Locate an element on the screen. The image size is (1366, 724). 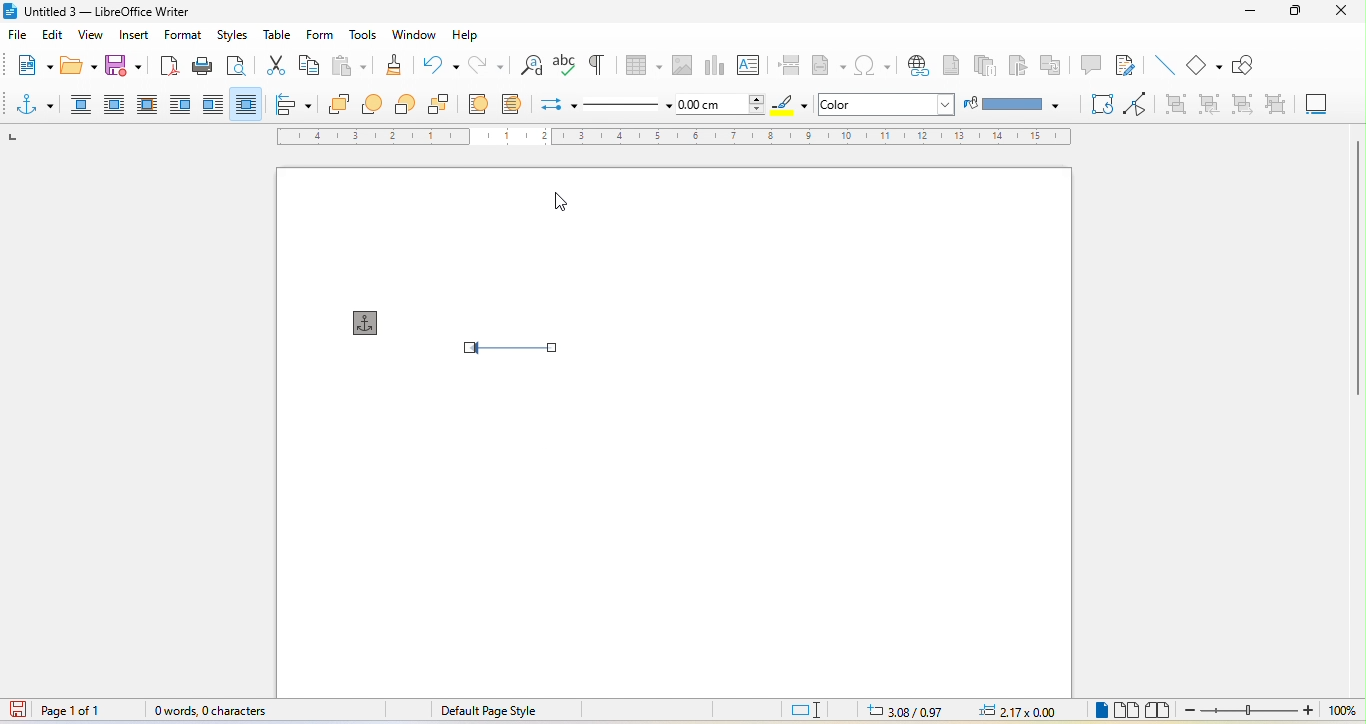
save is located at coordinates (126, 66).